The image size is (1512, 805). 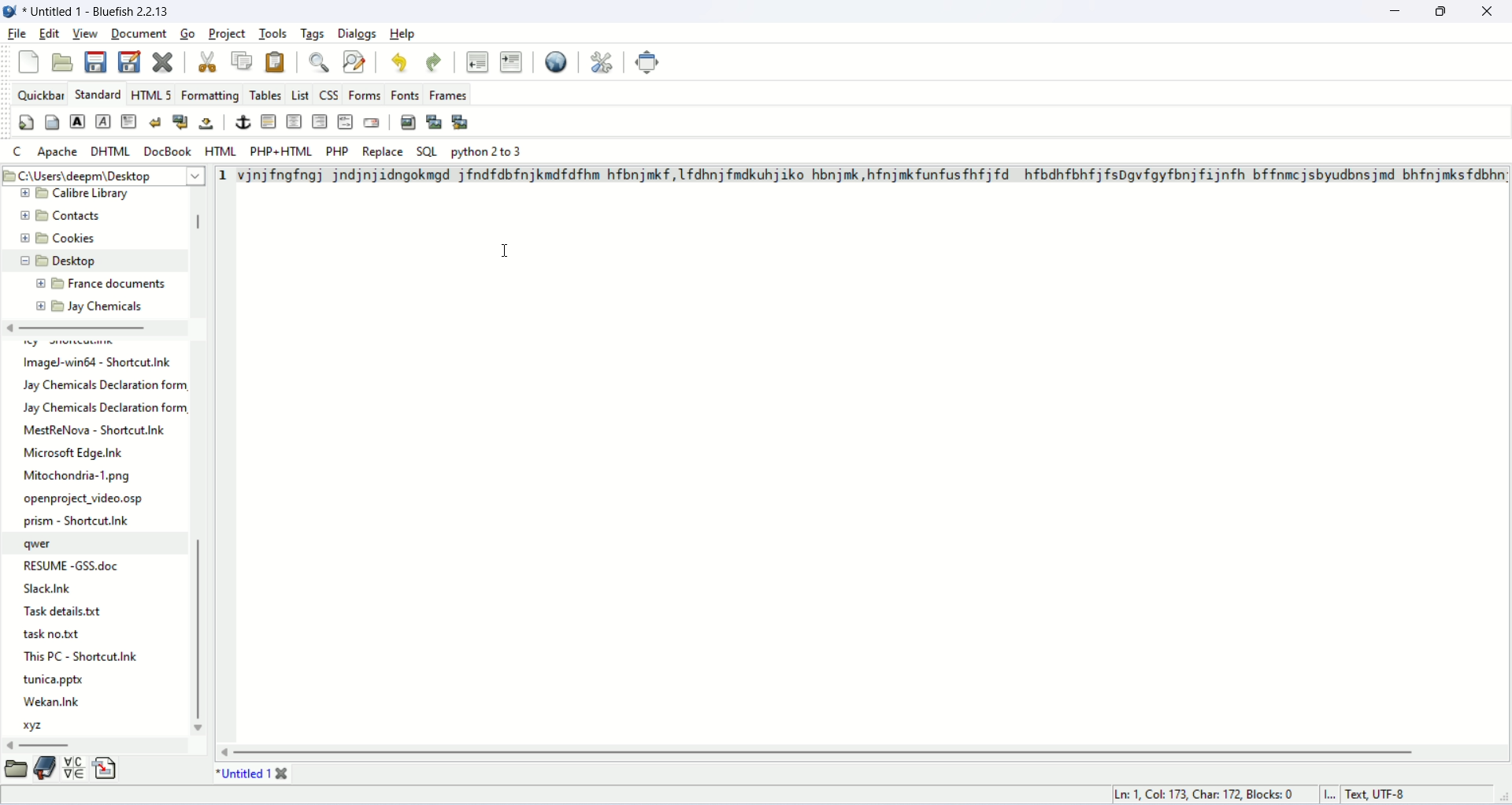 What do you see at coordinates (56, 679) in the screenshot?
I see `tunica.pptx` at bounding box center [56, 679].